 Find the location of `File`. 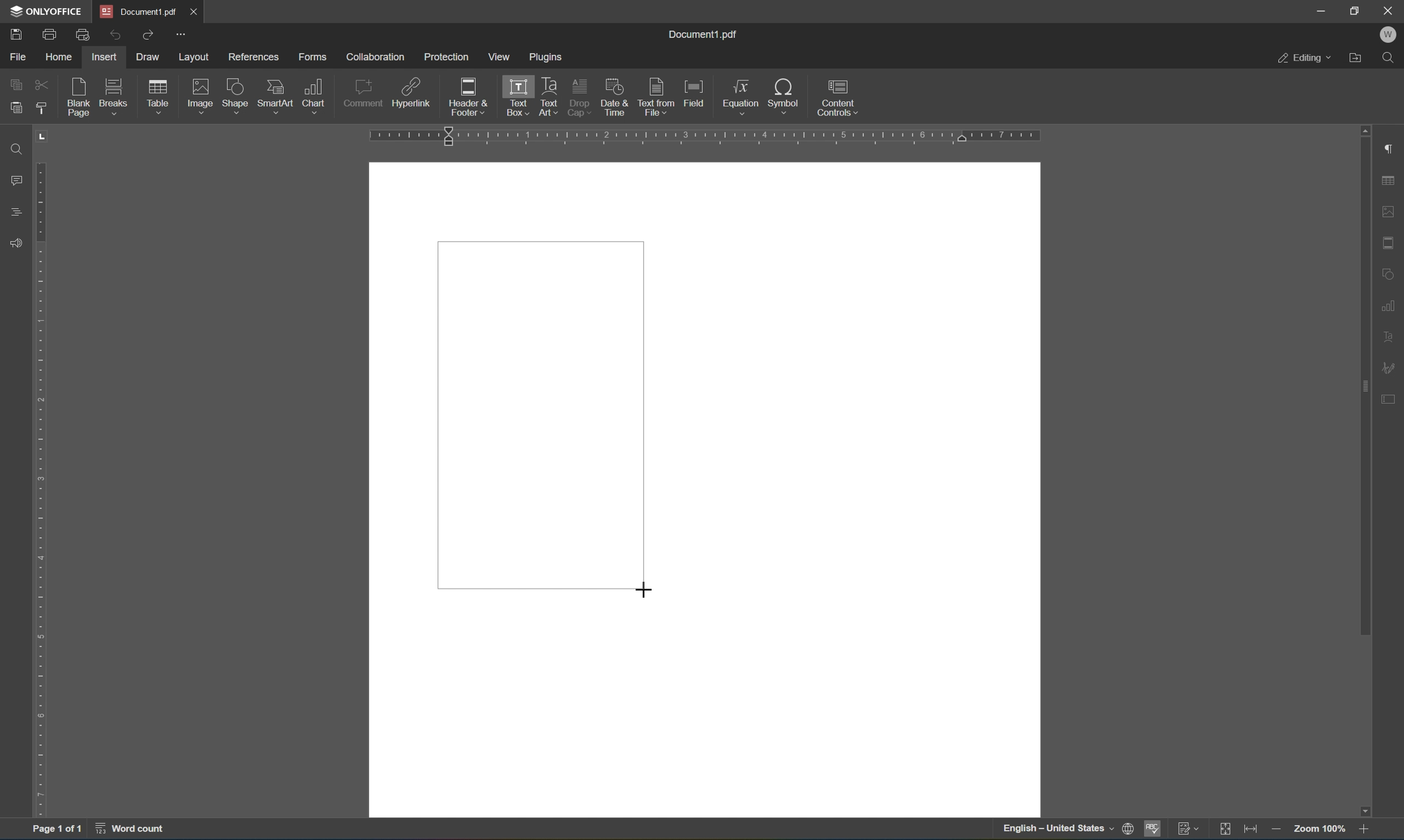

File is located at coordinates (19, 58).